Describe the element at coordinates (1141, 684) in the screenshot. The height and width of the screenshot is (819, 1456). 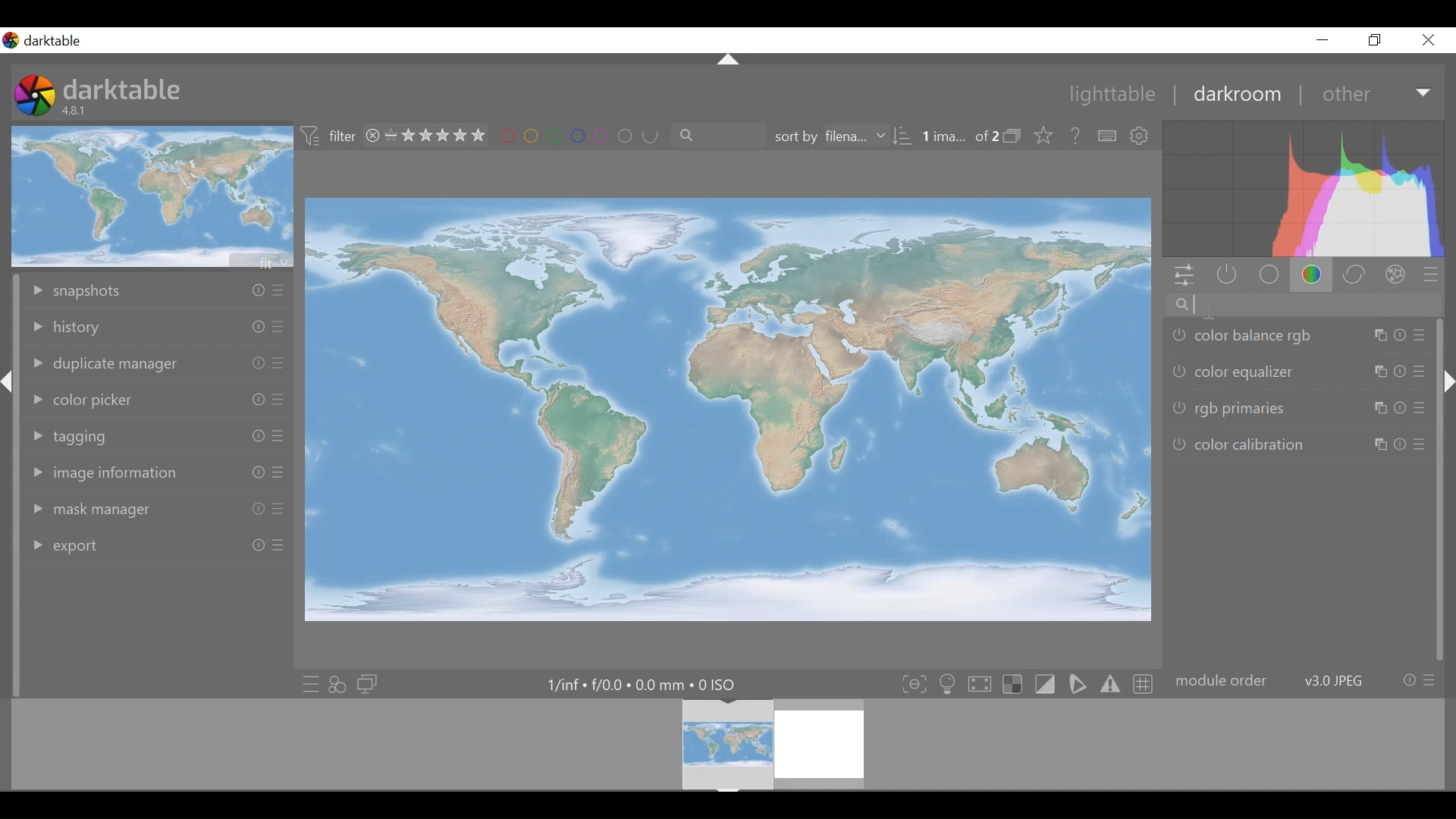
I see `toggle guide lines` at that location.